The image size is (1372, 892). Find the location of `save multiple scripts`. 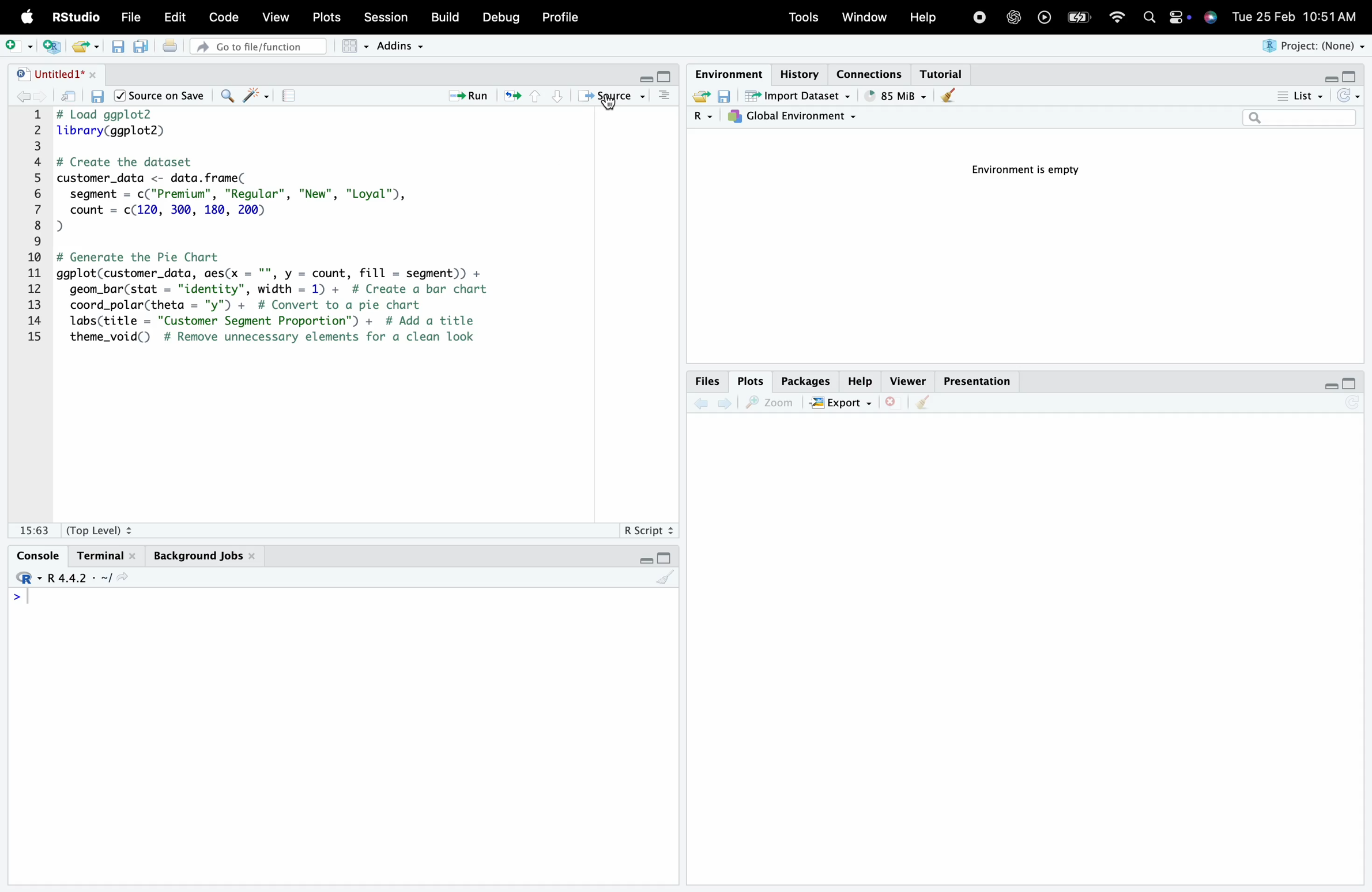

save multiple scripts is located at coordinates (144, 52).